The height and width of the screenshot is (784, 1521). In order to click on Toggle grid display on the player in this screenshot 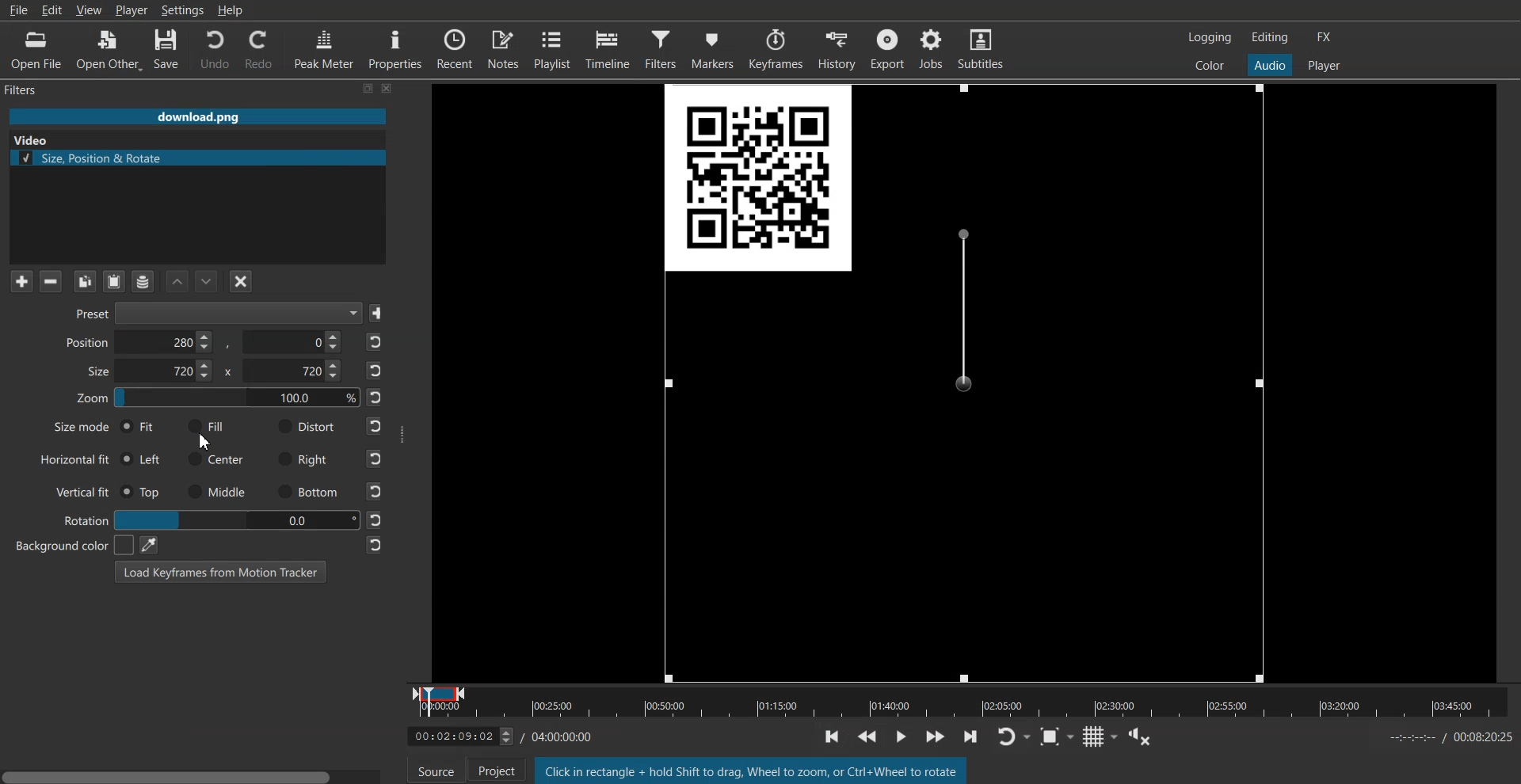, I will do `click(901, 738)`.